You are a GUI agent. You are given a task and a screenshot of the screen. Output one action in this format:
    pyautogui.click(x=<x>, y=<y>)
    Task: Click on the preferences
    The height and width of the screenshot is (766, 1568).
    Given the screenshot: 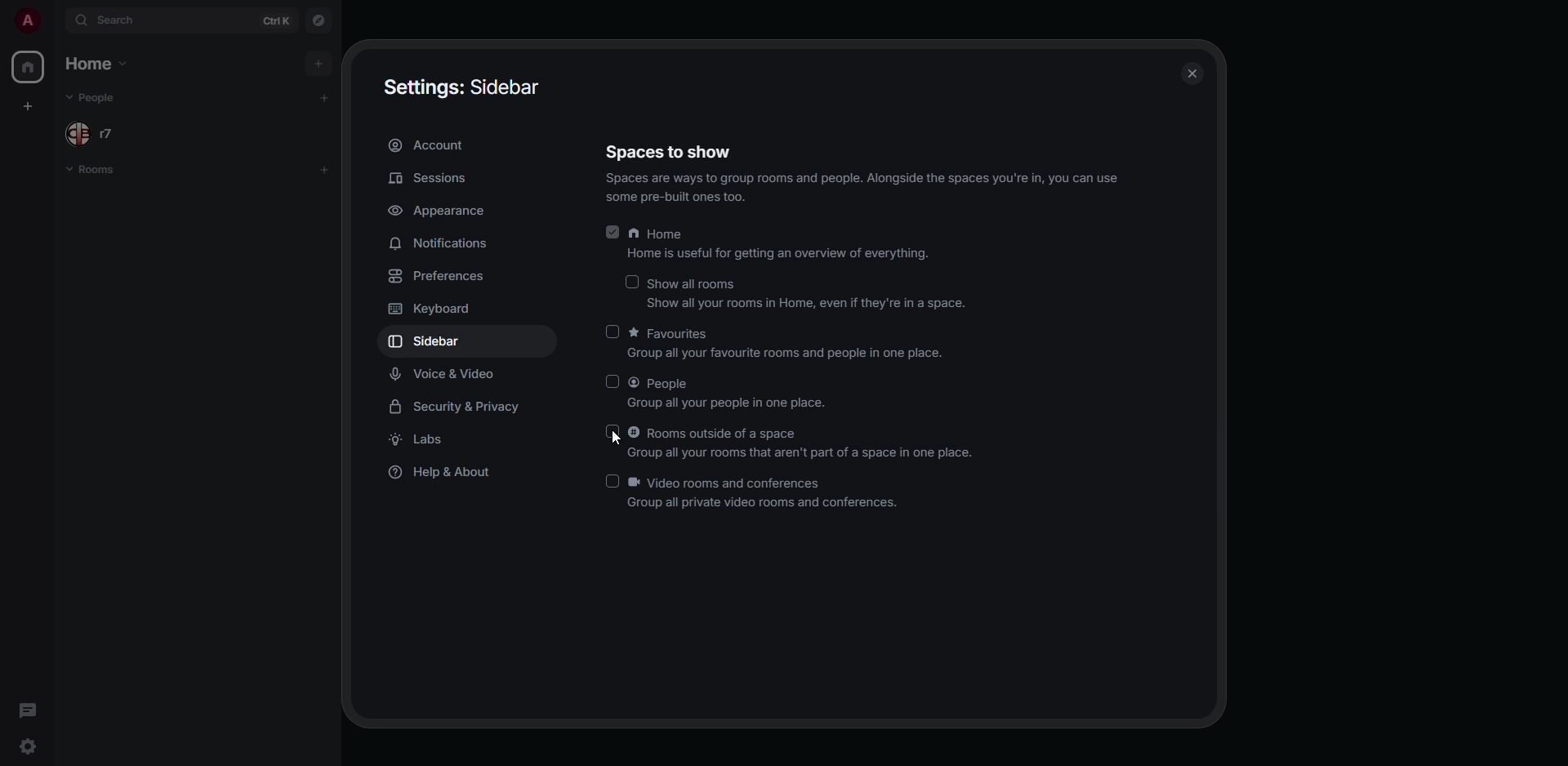 What is the action you would take?
    pyautogui.click(x=439, y=275)
    